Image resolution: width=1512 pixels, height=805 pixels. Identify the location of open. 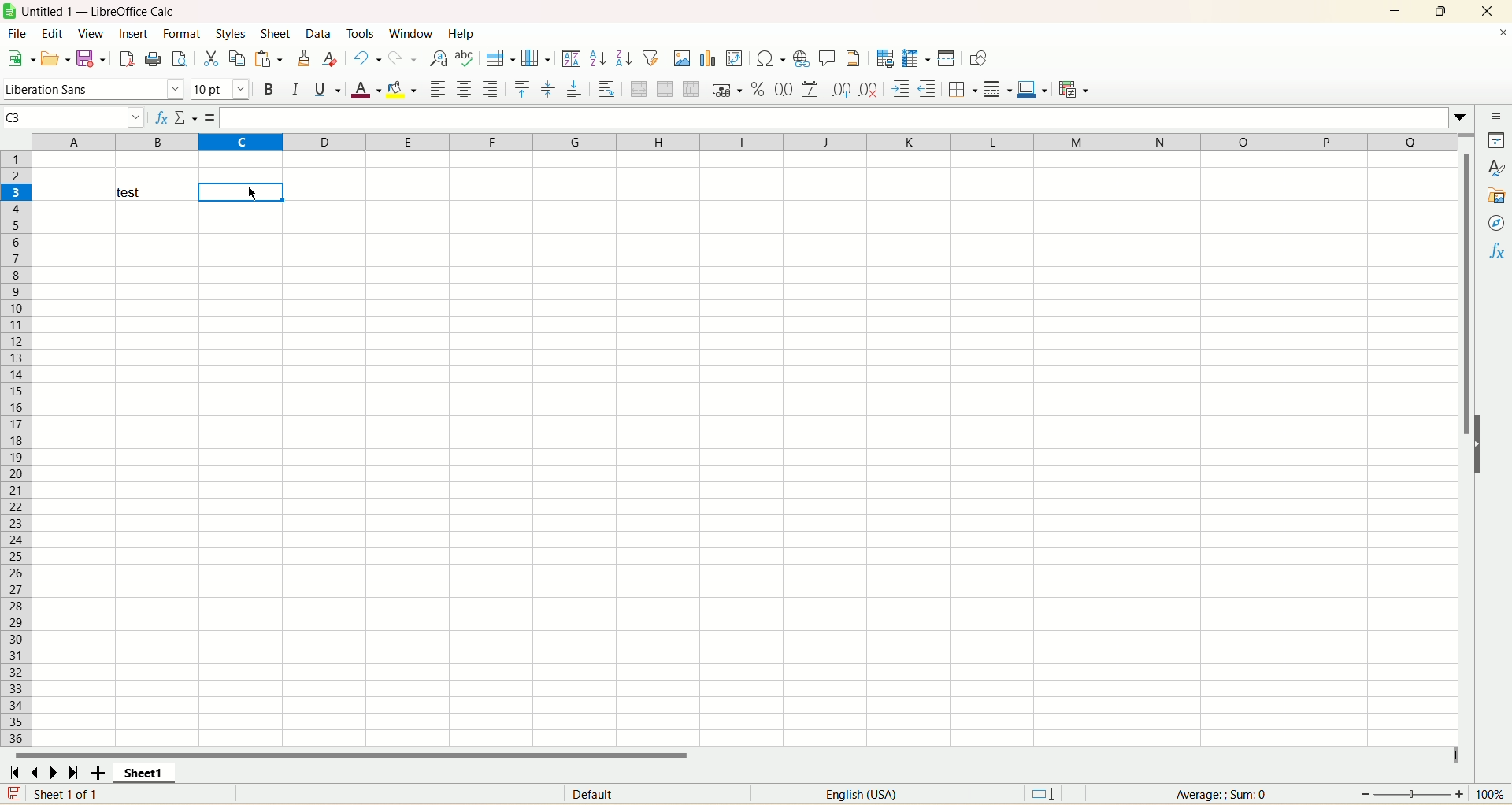
(55, 59).